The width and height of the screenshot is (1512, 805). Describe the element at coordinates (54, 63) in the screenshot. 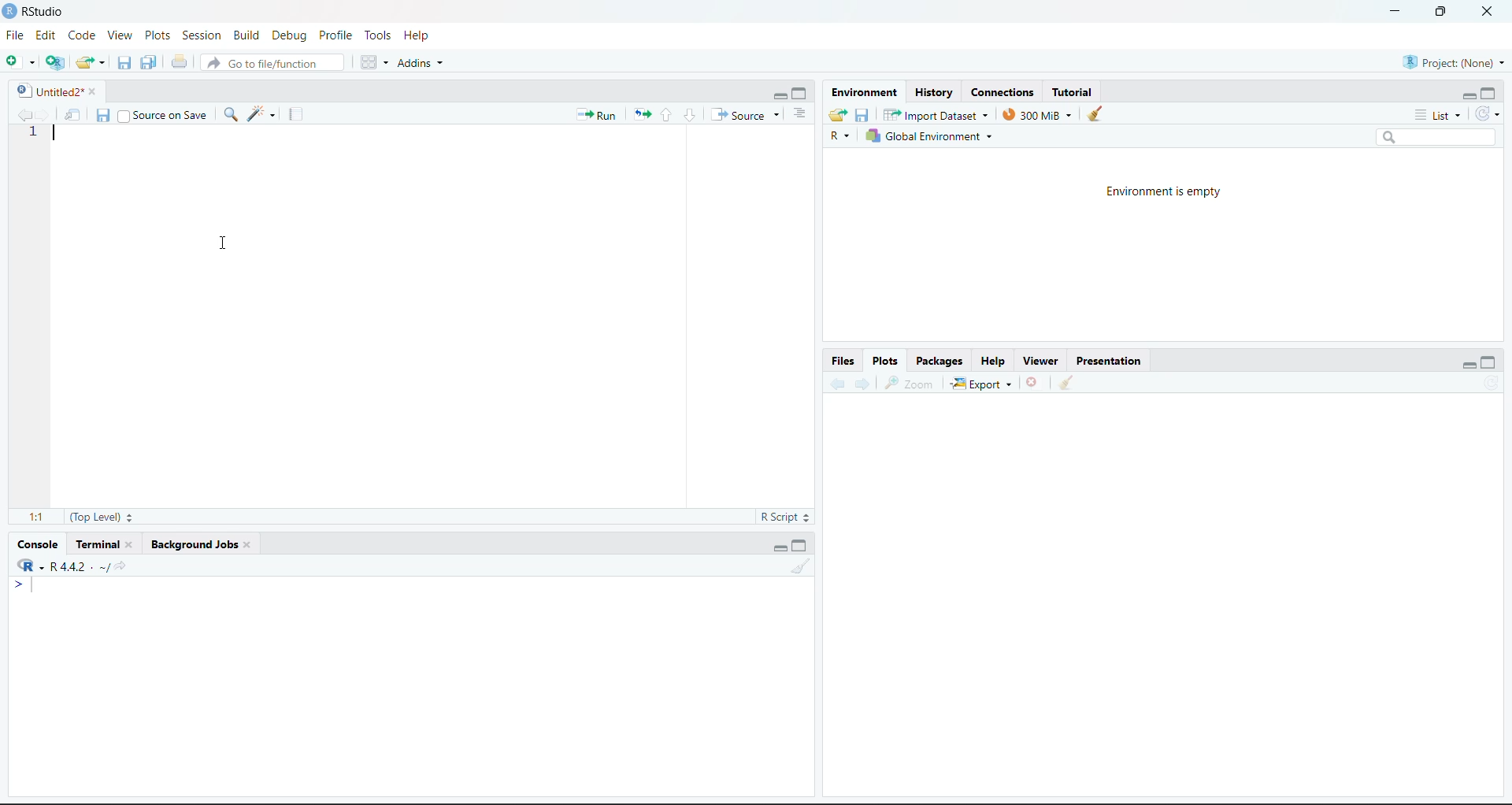

I see `create new project` at that location.